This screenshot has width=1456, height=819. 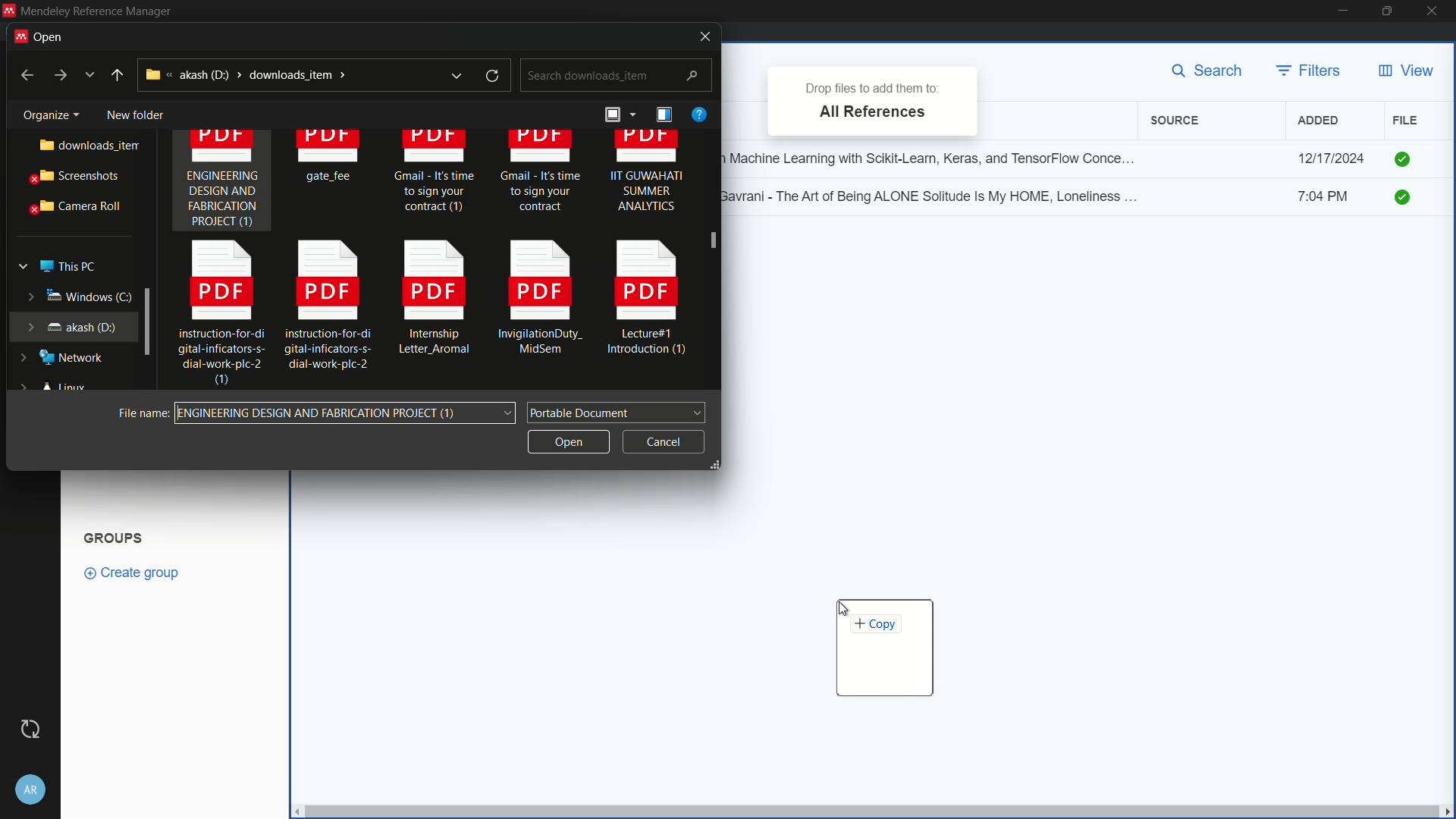 I want to click on Sync, so click(x=30, y=729).